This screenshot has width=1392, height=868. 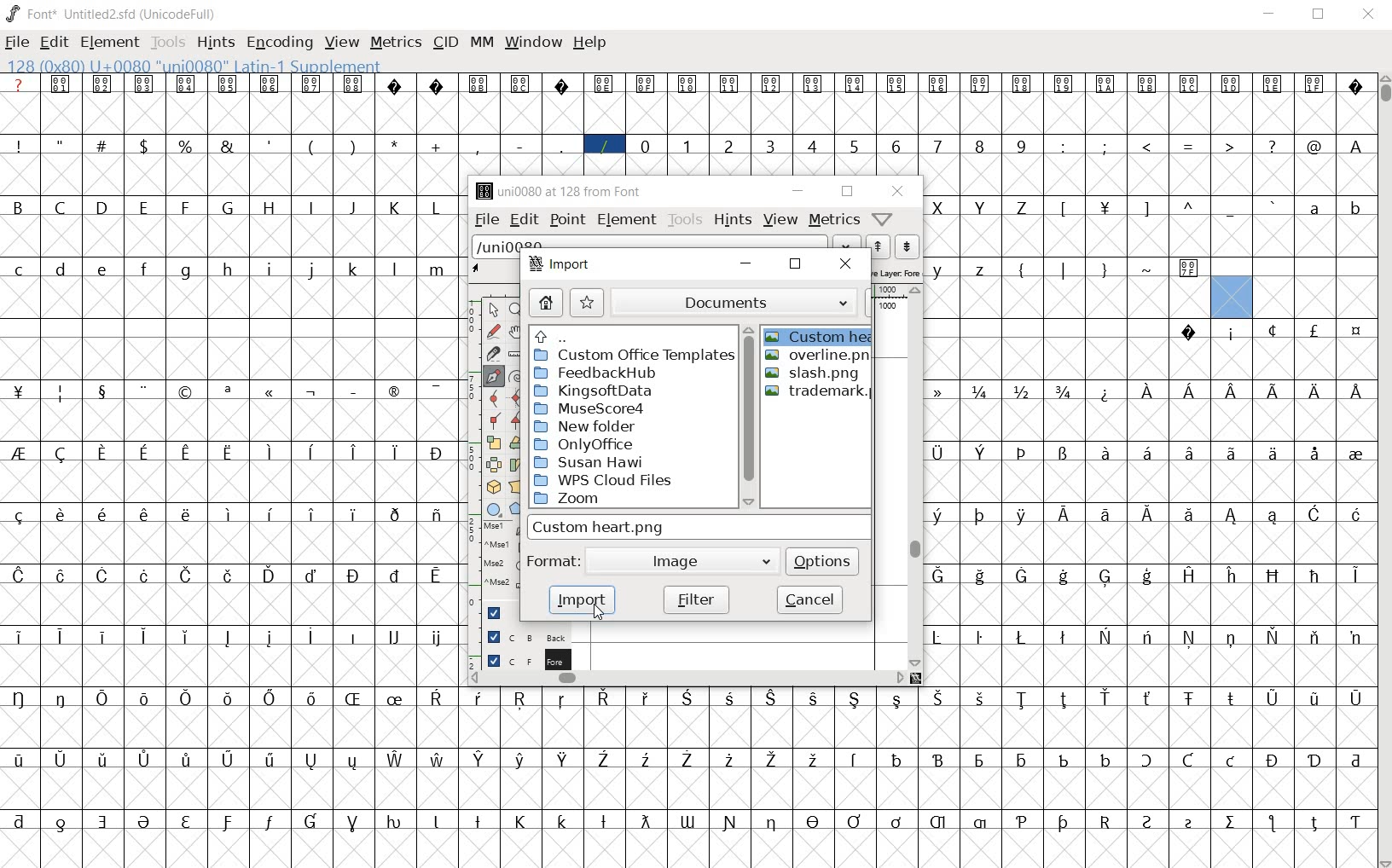 What do you see at coordinates (811, 145) in the screenshot?
I see `glyph` at bounding box center [811, 145].